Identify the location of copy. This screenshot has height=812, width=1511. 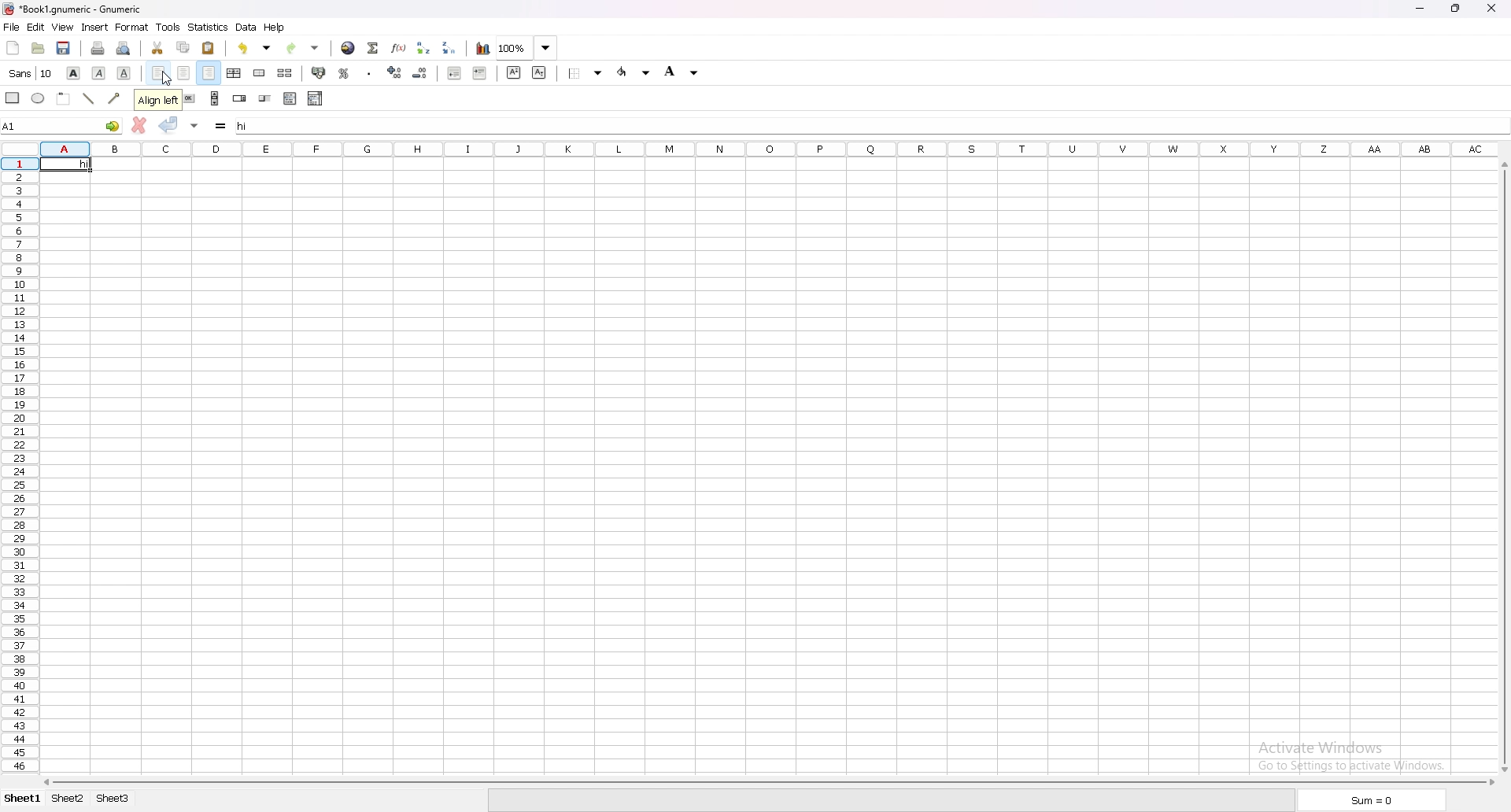
(183, 48).